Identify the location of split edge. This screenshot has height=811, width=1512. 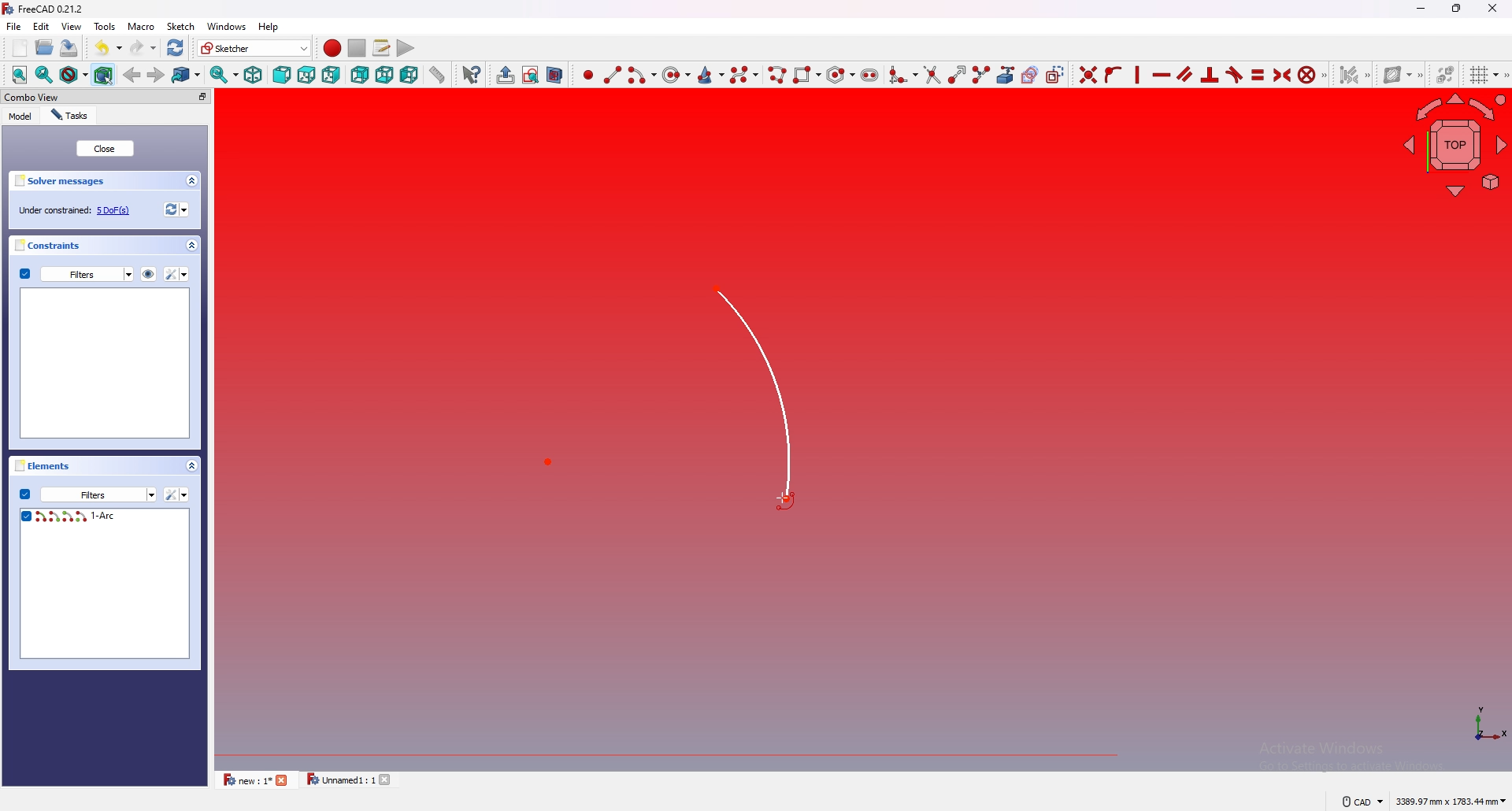
(980, 73).